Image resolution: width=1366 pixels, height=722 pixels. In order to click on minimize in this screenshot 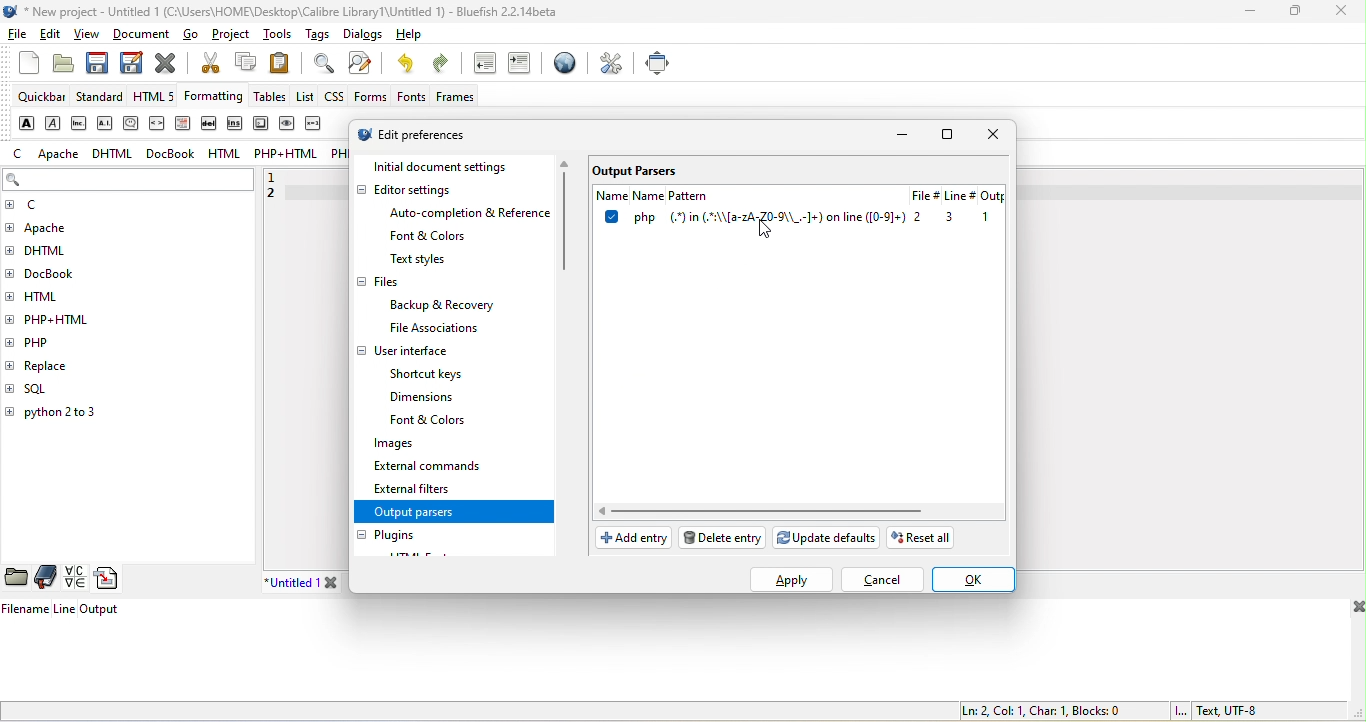, I will do `click(1247, 12)`.